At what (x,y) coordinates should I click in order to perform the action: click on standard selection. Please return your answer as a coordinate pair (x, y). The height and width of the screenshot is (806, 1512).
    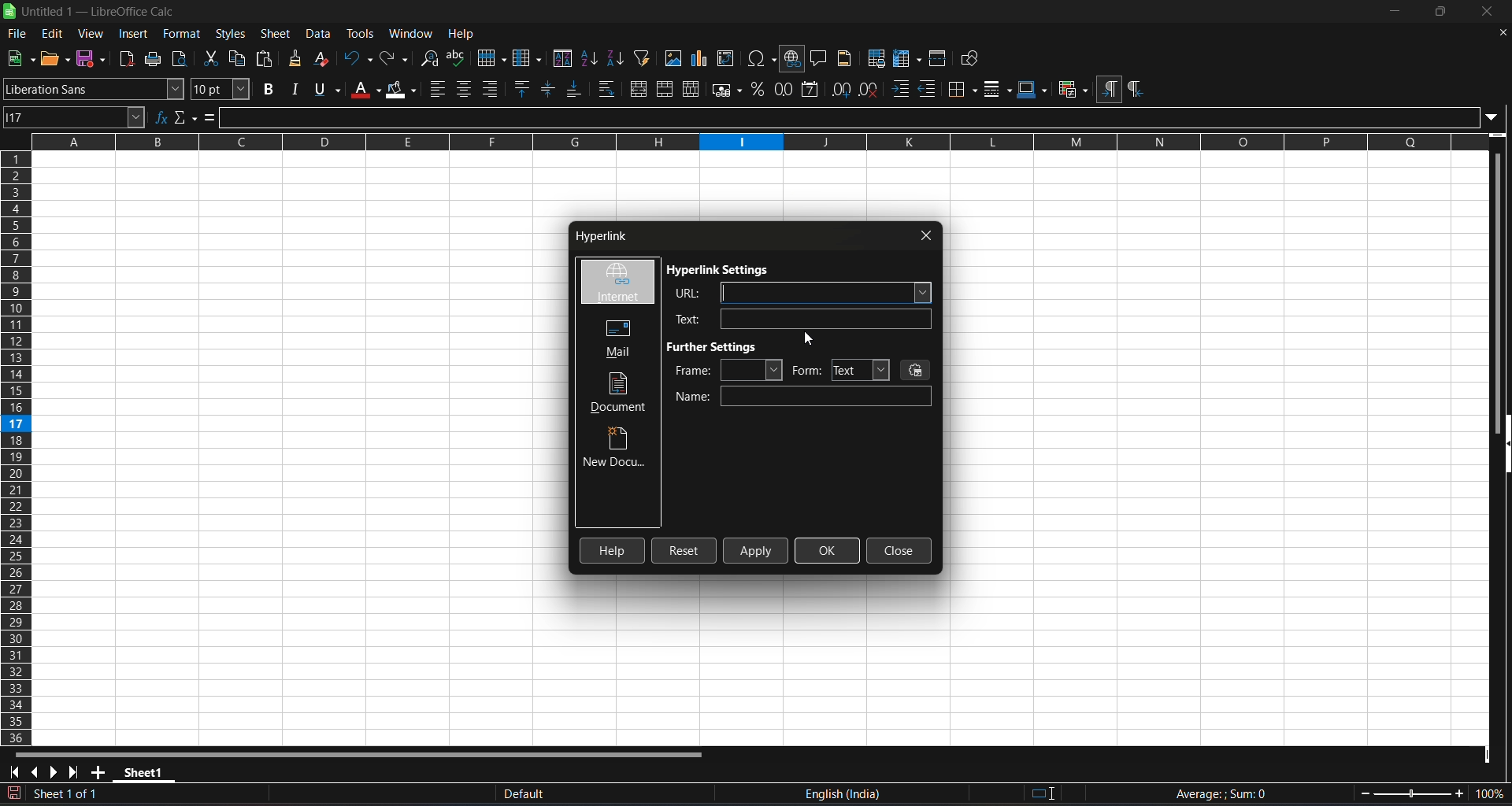
    Looking at the image, I should click on (1045, 794).